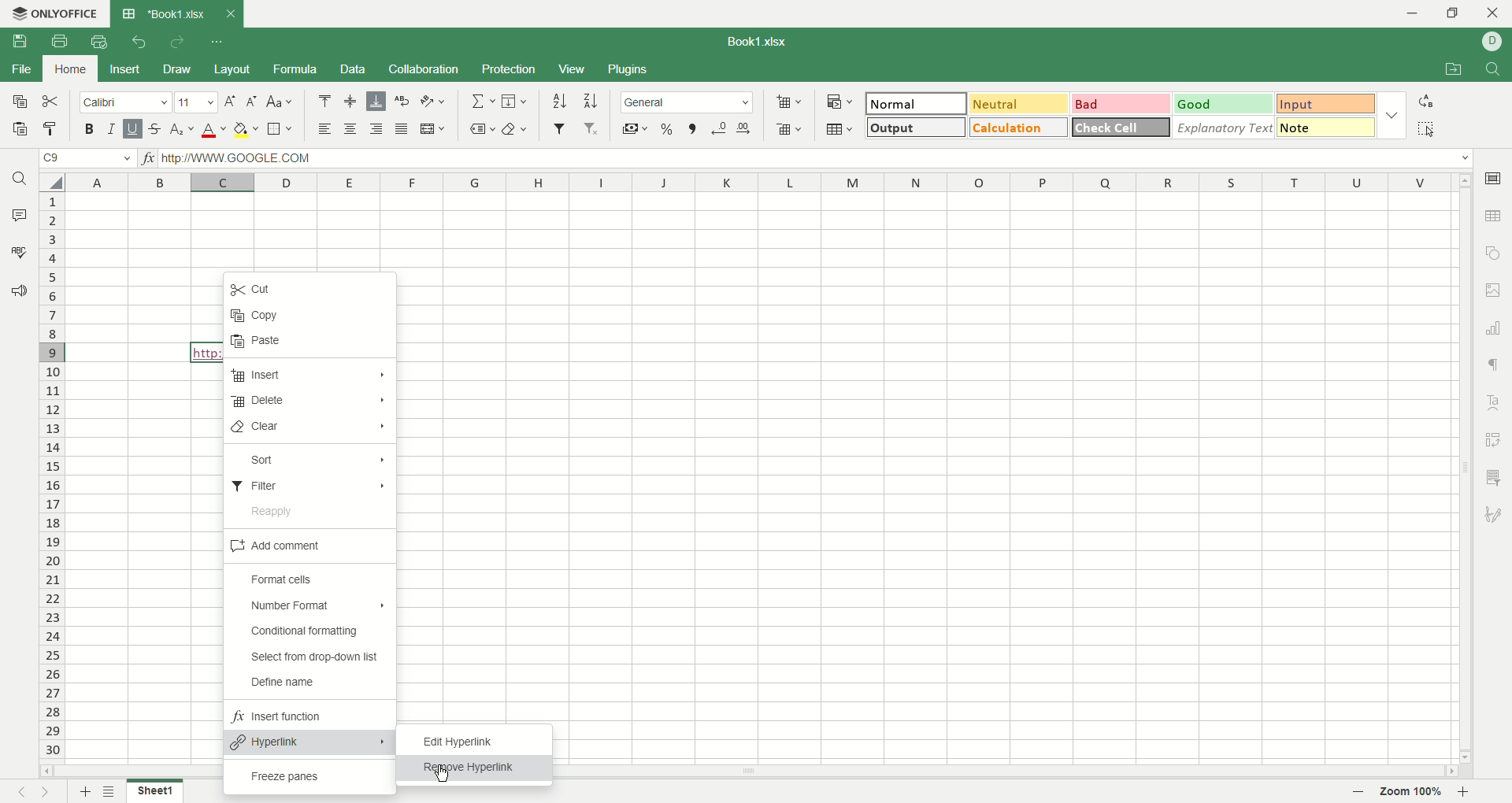  I want to click on add comment, so click(308, 545).